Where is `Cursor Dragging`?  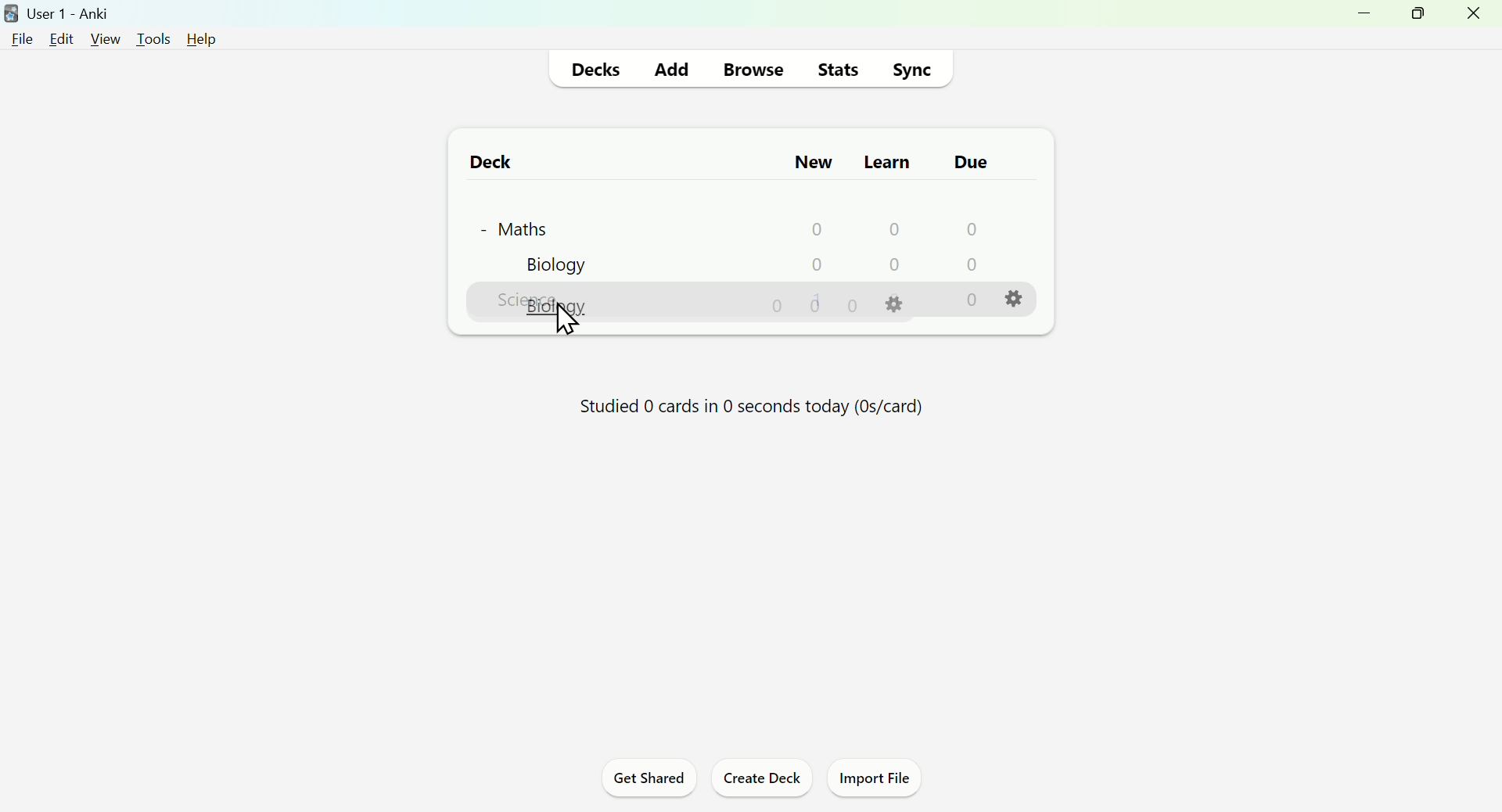 Cursor Dragging is located at coordinates (570, 318).